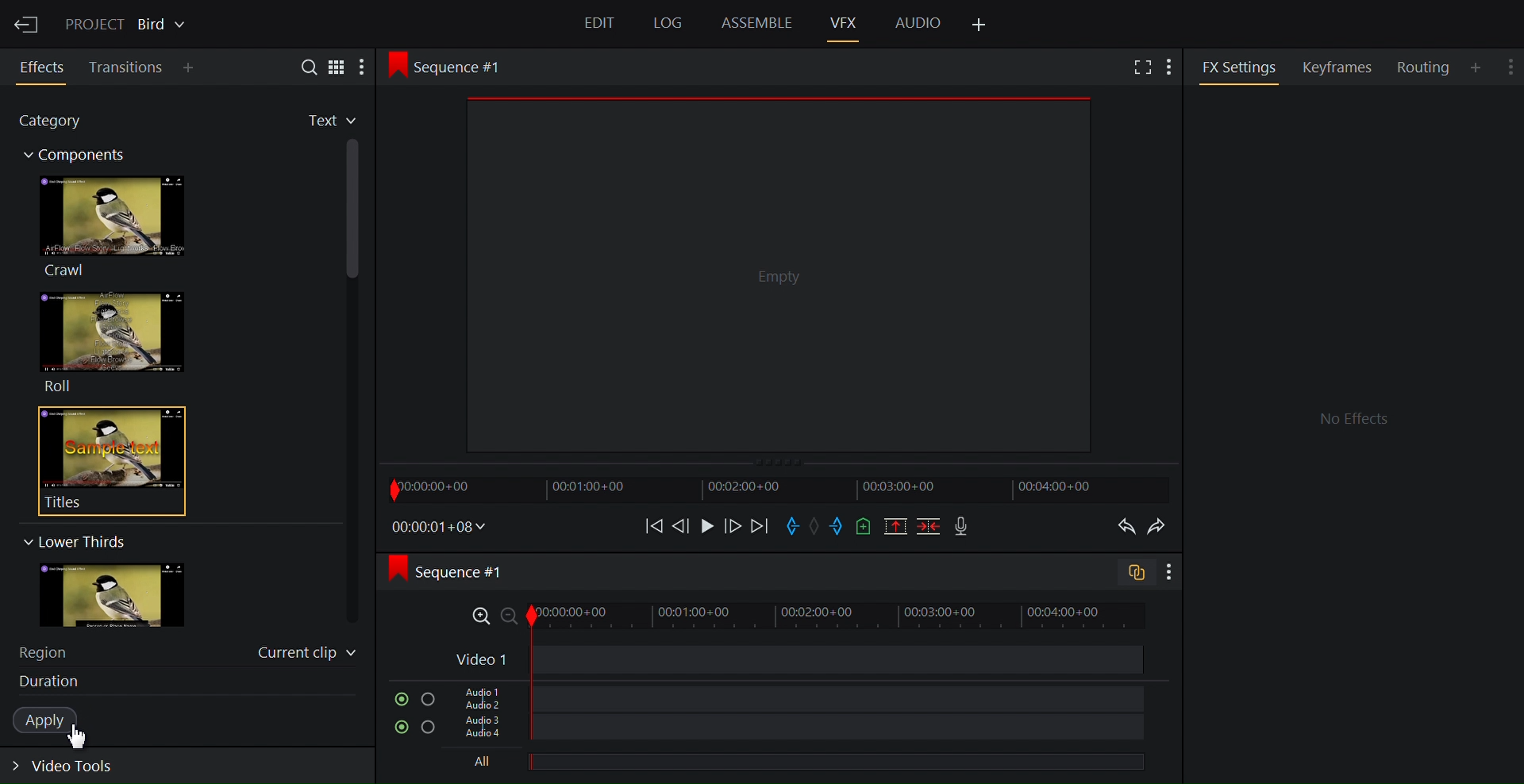  Describe the element at coordinates (792, 661) in the screenshot. I see `Video Track` at that location.